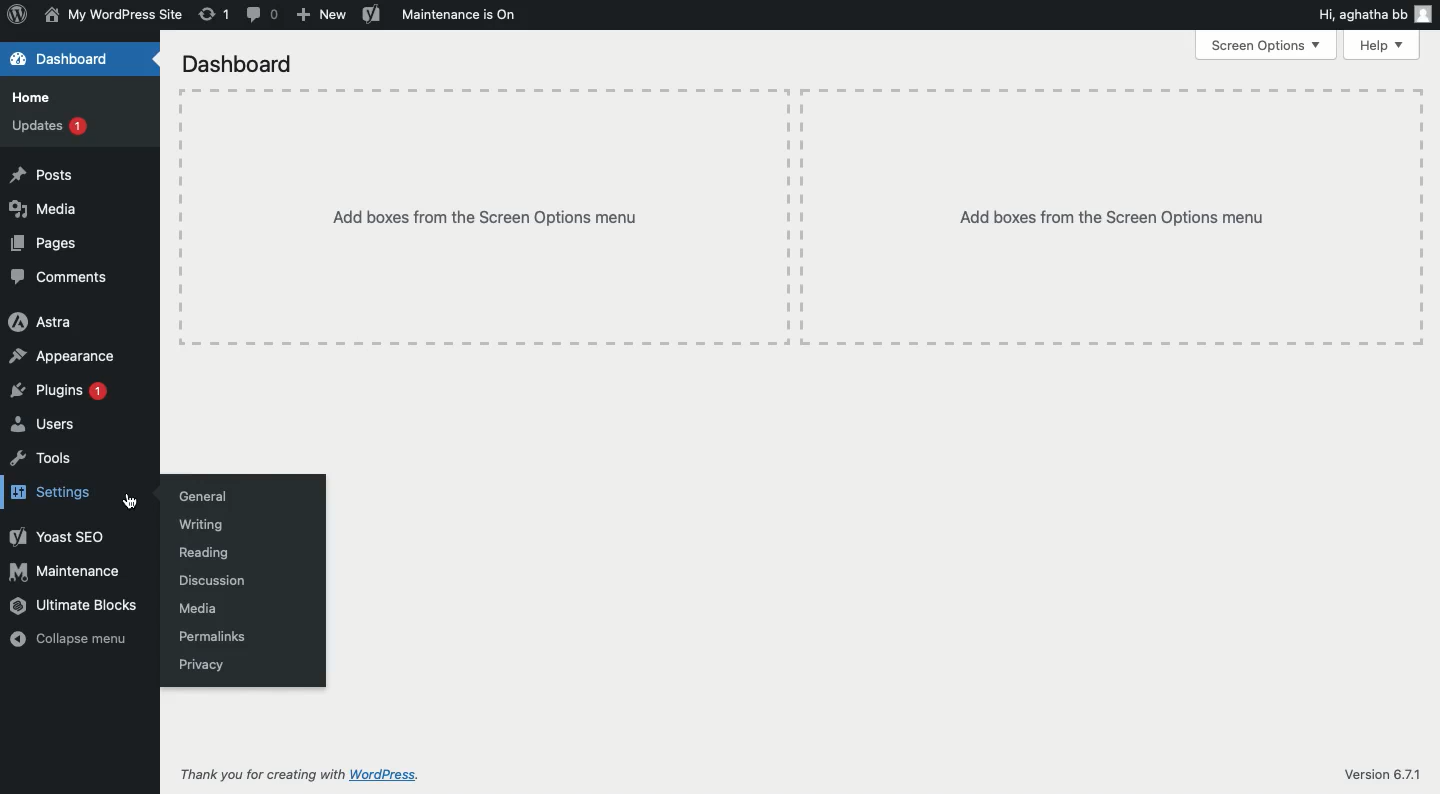 This screenshot has width=1440, height=794. I want to click on Astra, so click(42, 321).